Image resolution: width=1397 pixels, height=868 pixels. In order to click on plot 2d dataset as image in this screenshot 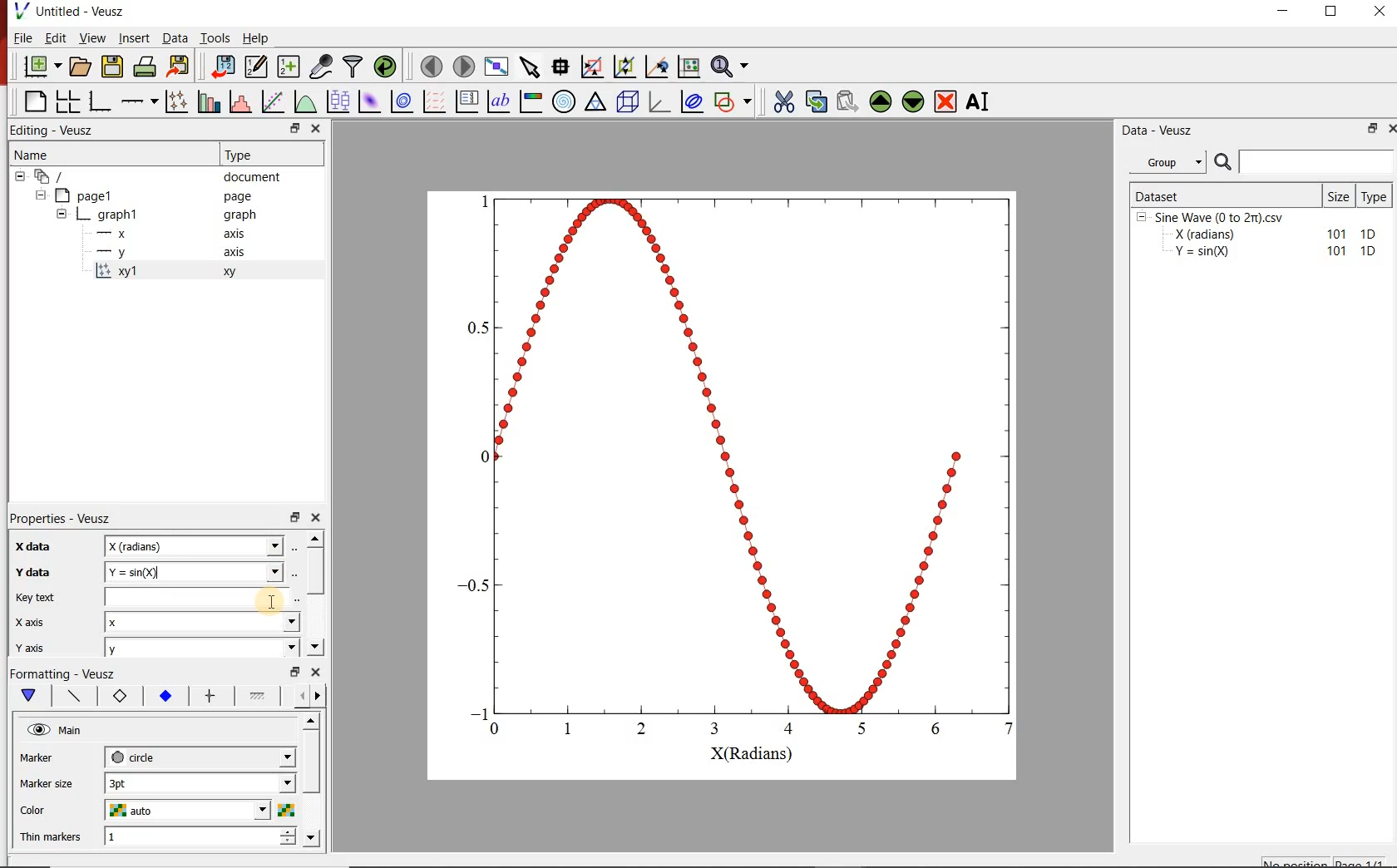, I will do `click(370, 101)`.